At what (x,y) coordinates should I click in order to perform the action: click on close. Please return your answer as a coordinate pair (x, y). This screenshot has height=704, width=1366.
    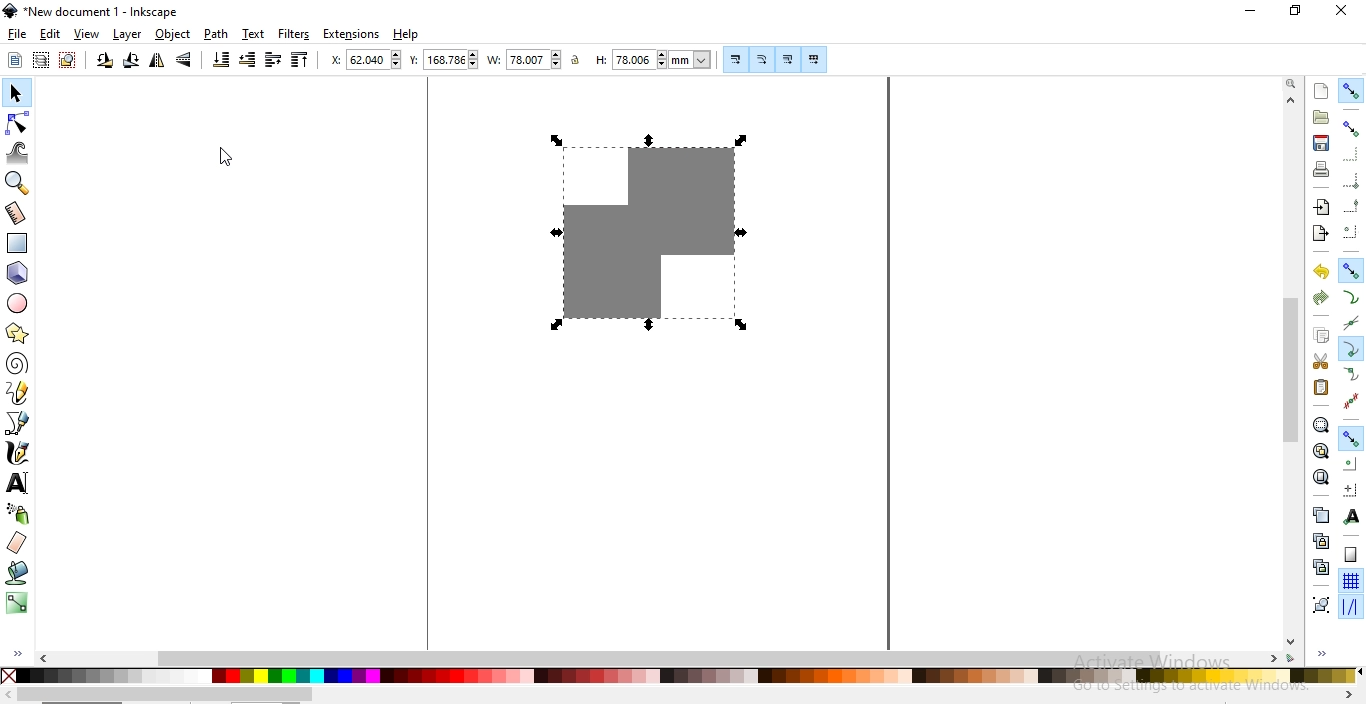
    Looking at the image, I should click on (1342, 10).